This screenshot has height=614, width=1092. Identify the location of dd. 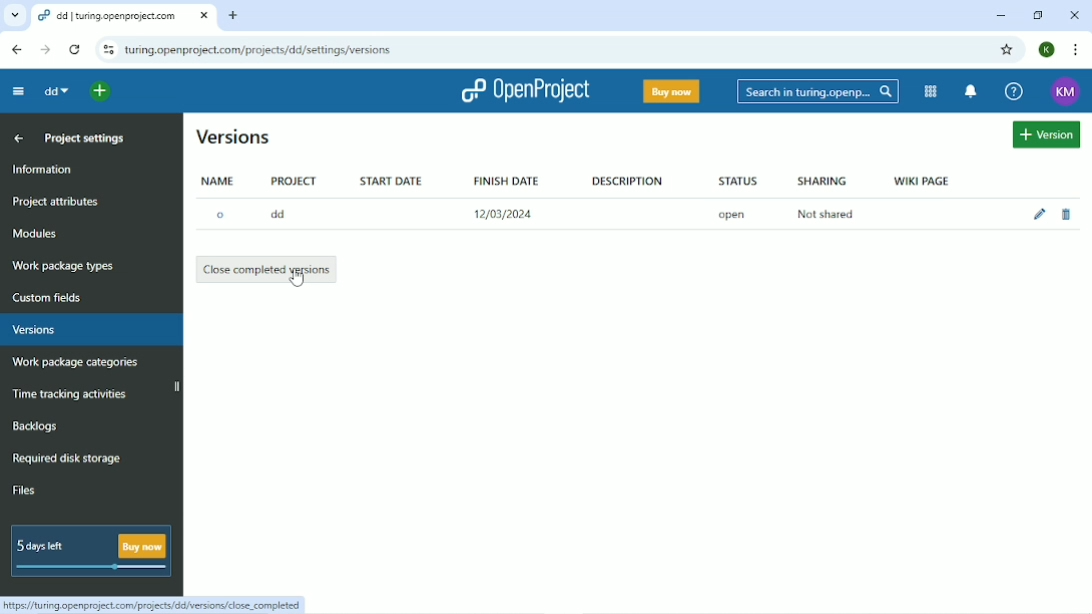
(55, 91).